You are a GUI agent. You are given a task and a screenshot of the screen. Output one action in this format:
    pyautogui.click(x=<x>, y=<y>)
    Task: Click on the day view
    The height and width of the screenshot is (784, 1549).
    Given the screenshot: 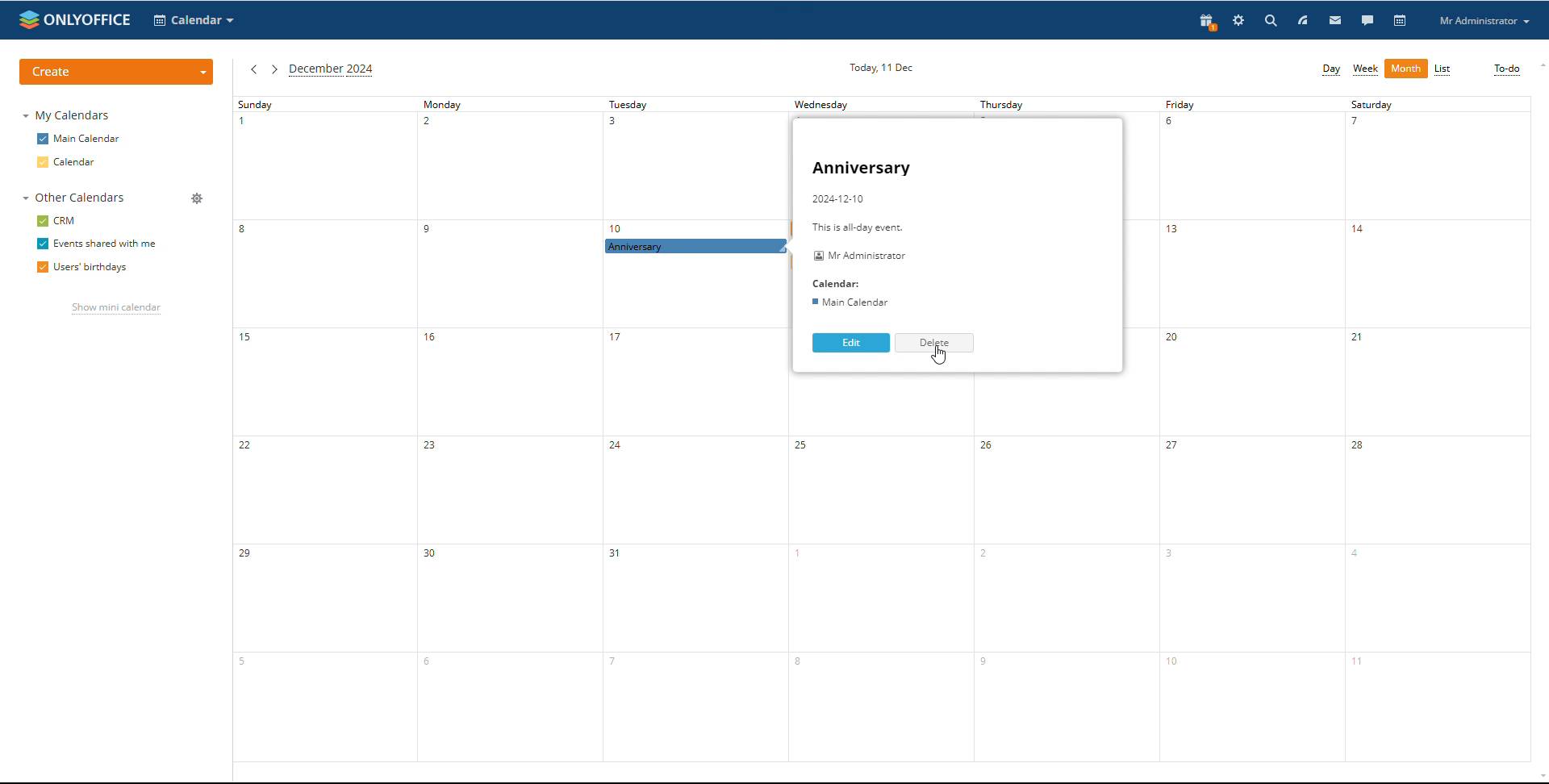 What is the action you would take?
    pyautogui.click(x=1330, y=71)
    